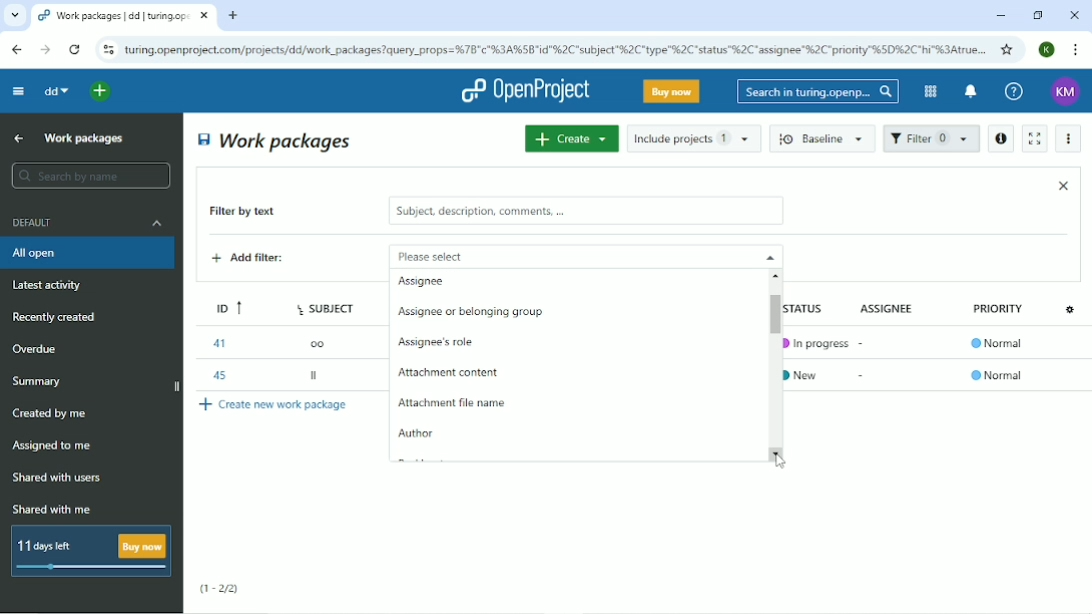  I want to click on Latest activity, so click(53, 287).